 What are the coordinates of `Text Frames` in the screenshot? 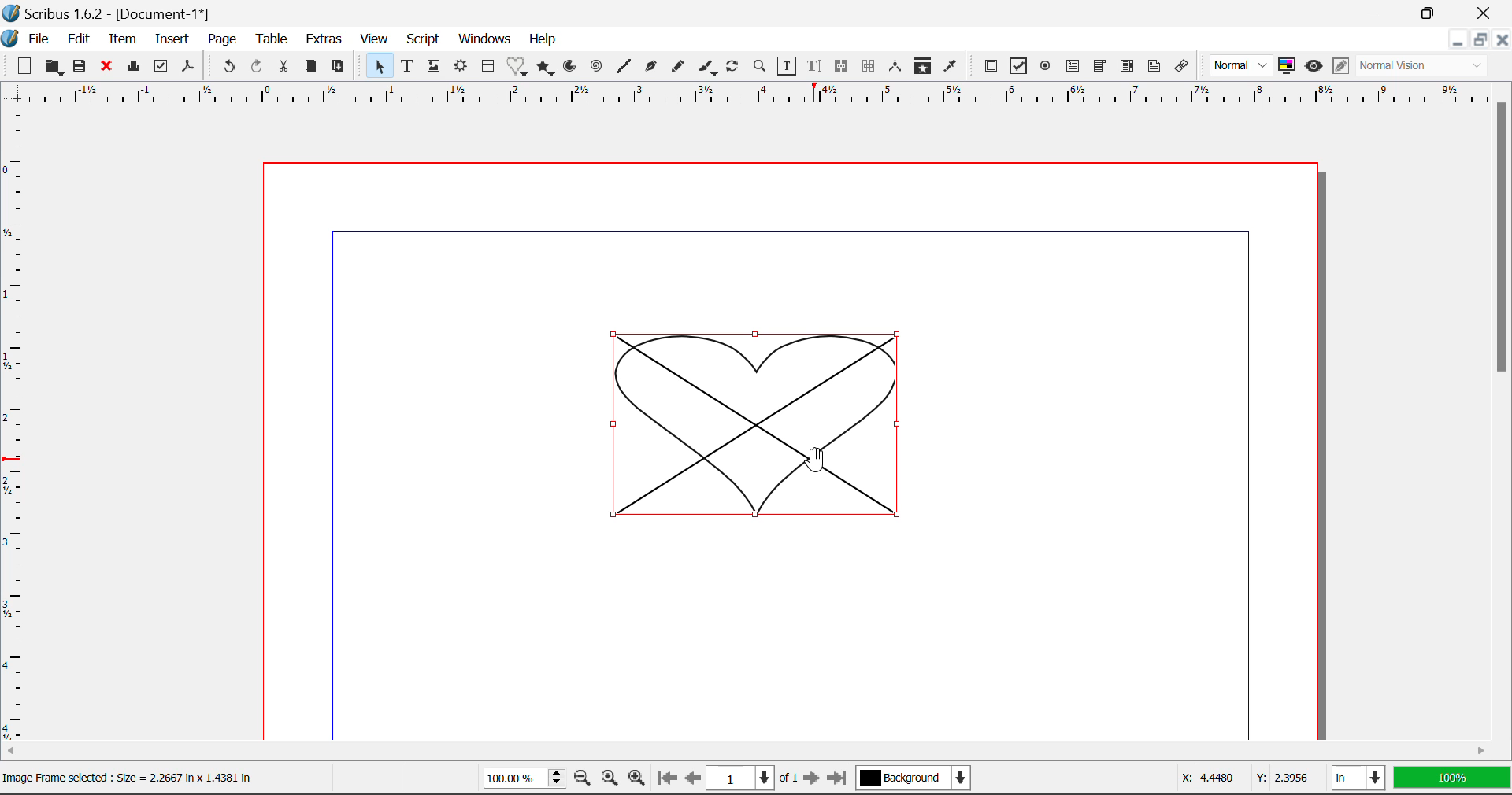 It's located at (408, 67).